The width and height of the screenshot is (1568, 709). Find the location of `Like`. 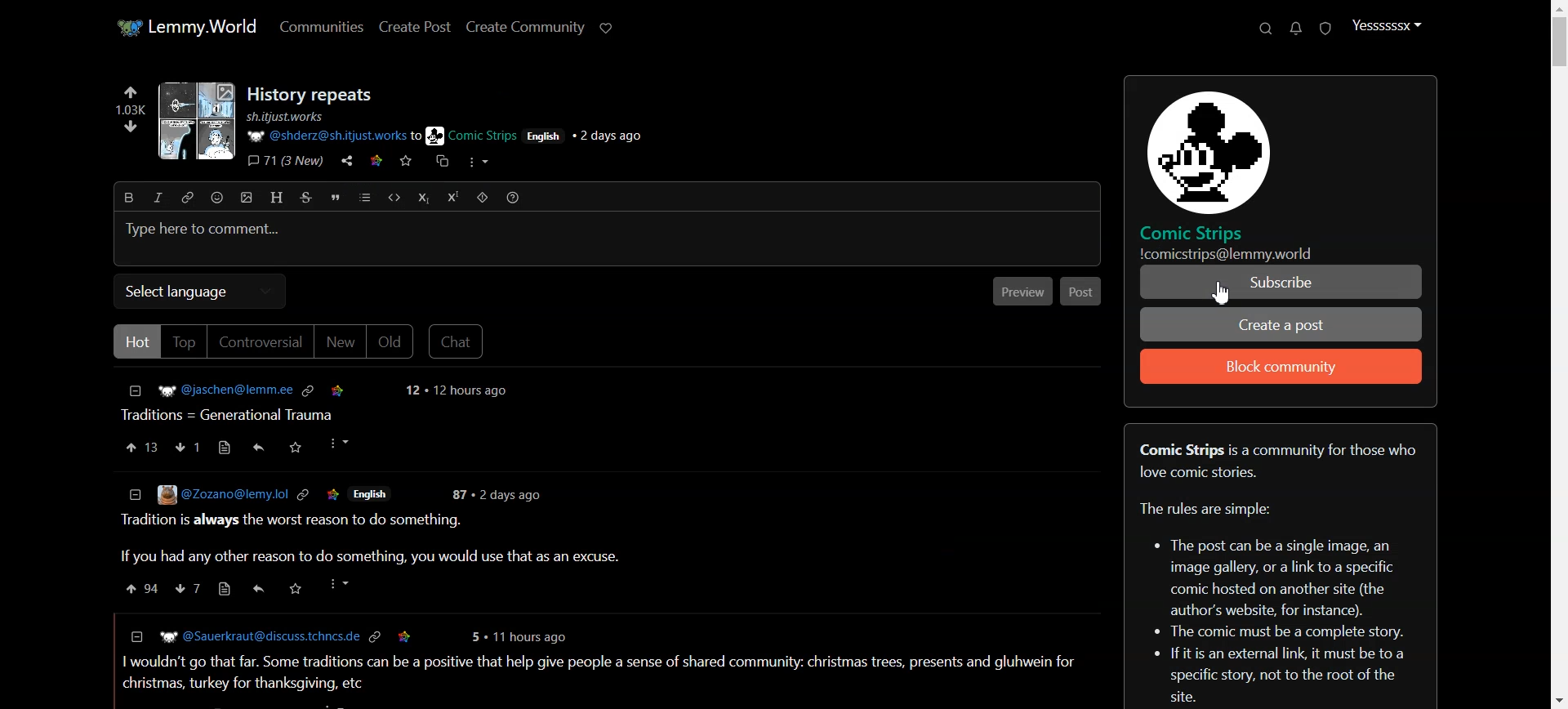

Like is located at coordinates (141, 447).